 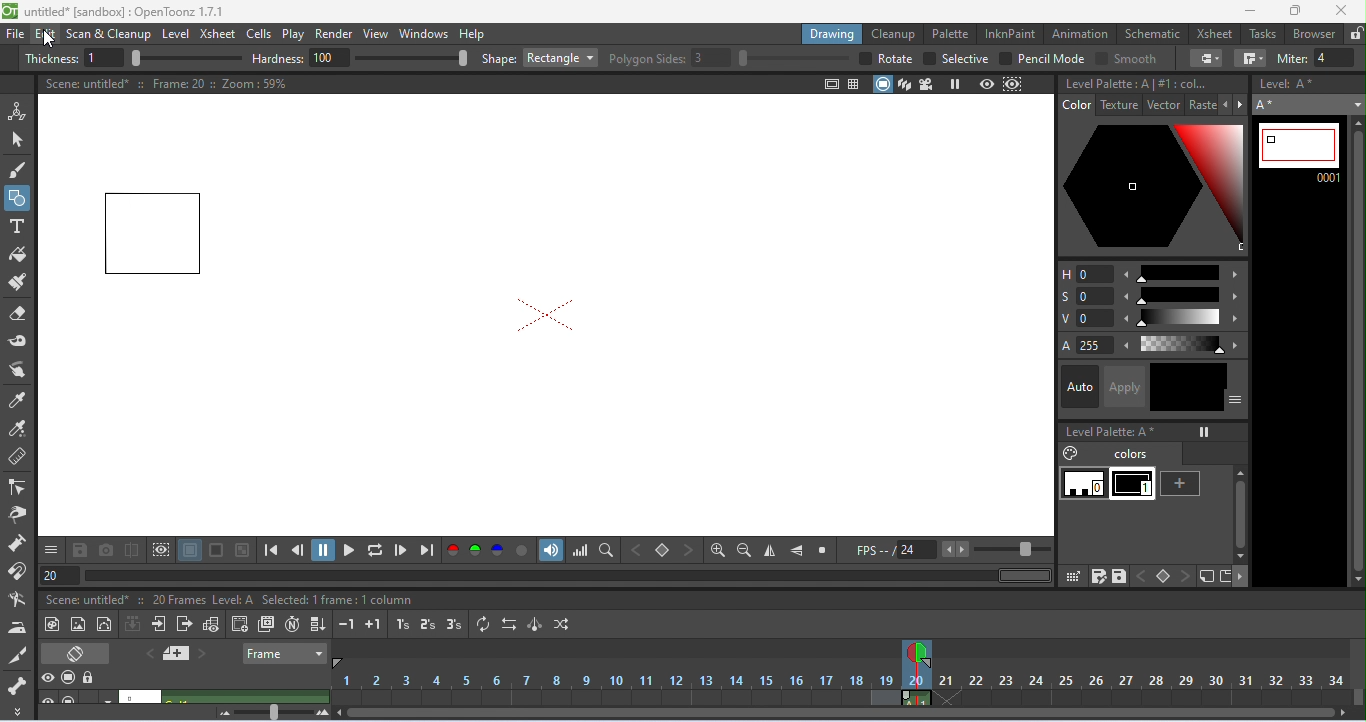 I want to click on edit, so click(x=44, y=35).